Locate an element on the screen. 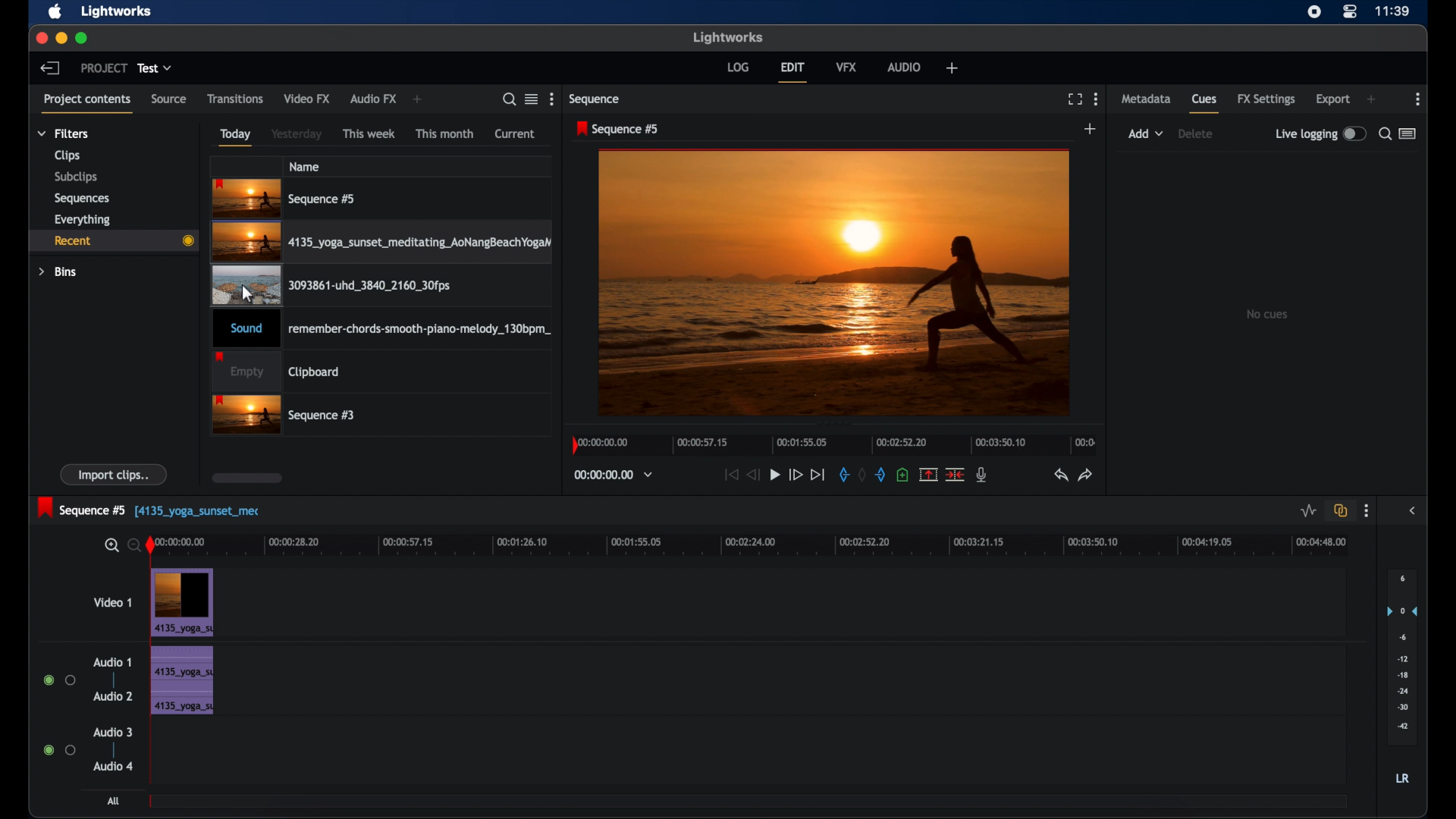  sequence 5 is located at coordinates (618, 129).